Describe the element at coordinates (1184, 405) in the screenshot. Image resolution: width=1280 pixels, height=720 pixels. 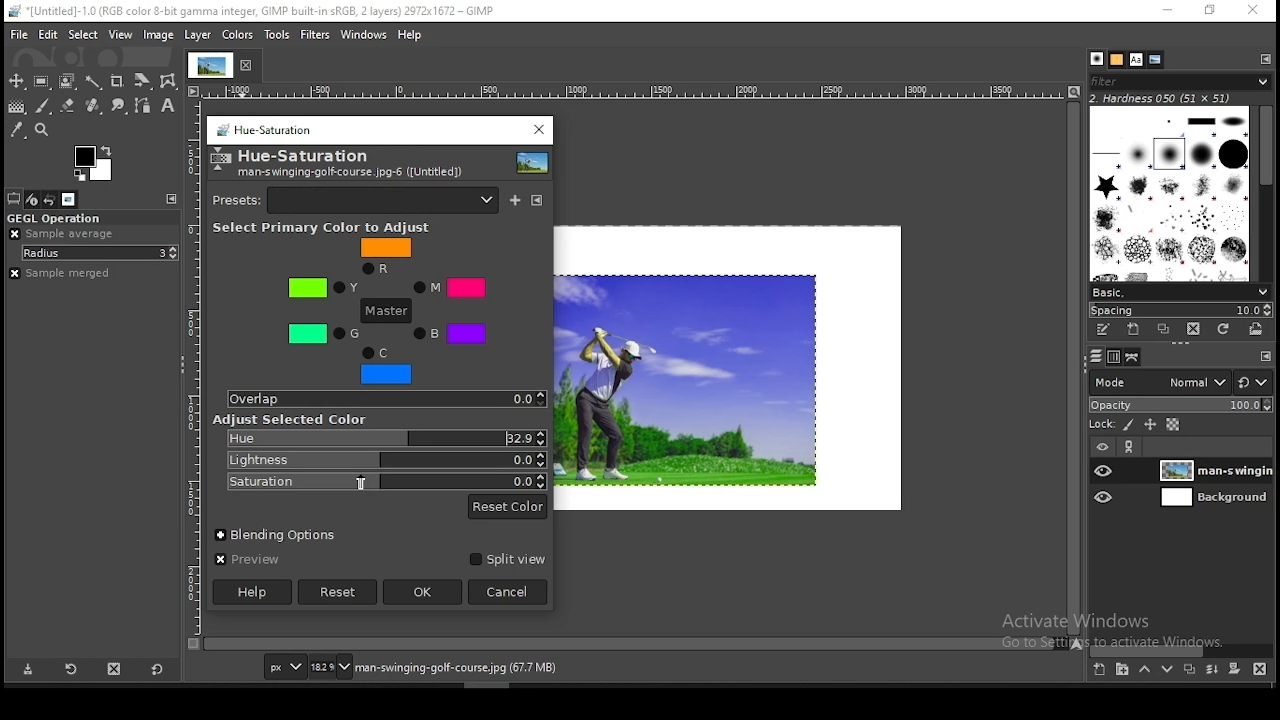
I see `opacity` at that location.